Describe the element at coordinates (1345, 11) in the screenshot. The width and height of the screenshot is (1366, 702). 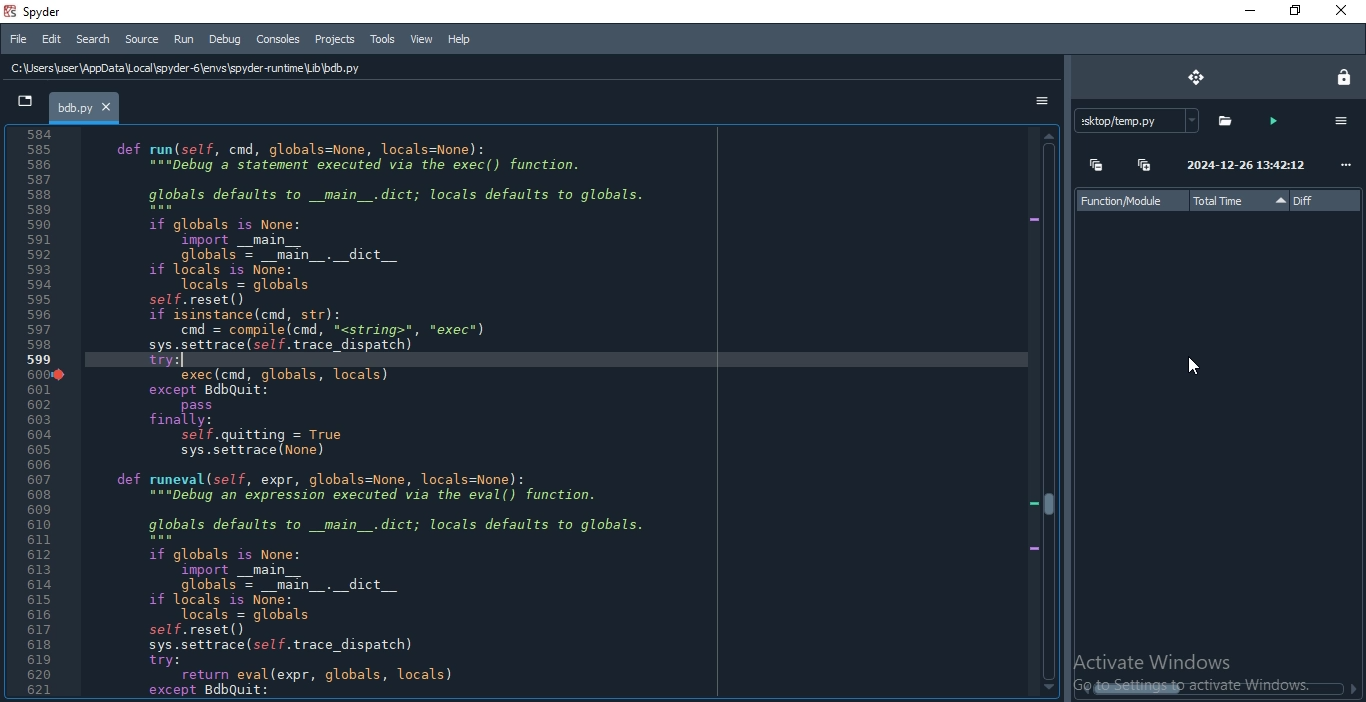
I see `Close` at that location.